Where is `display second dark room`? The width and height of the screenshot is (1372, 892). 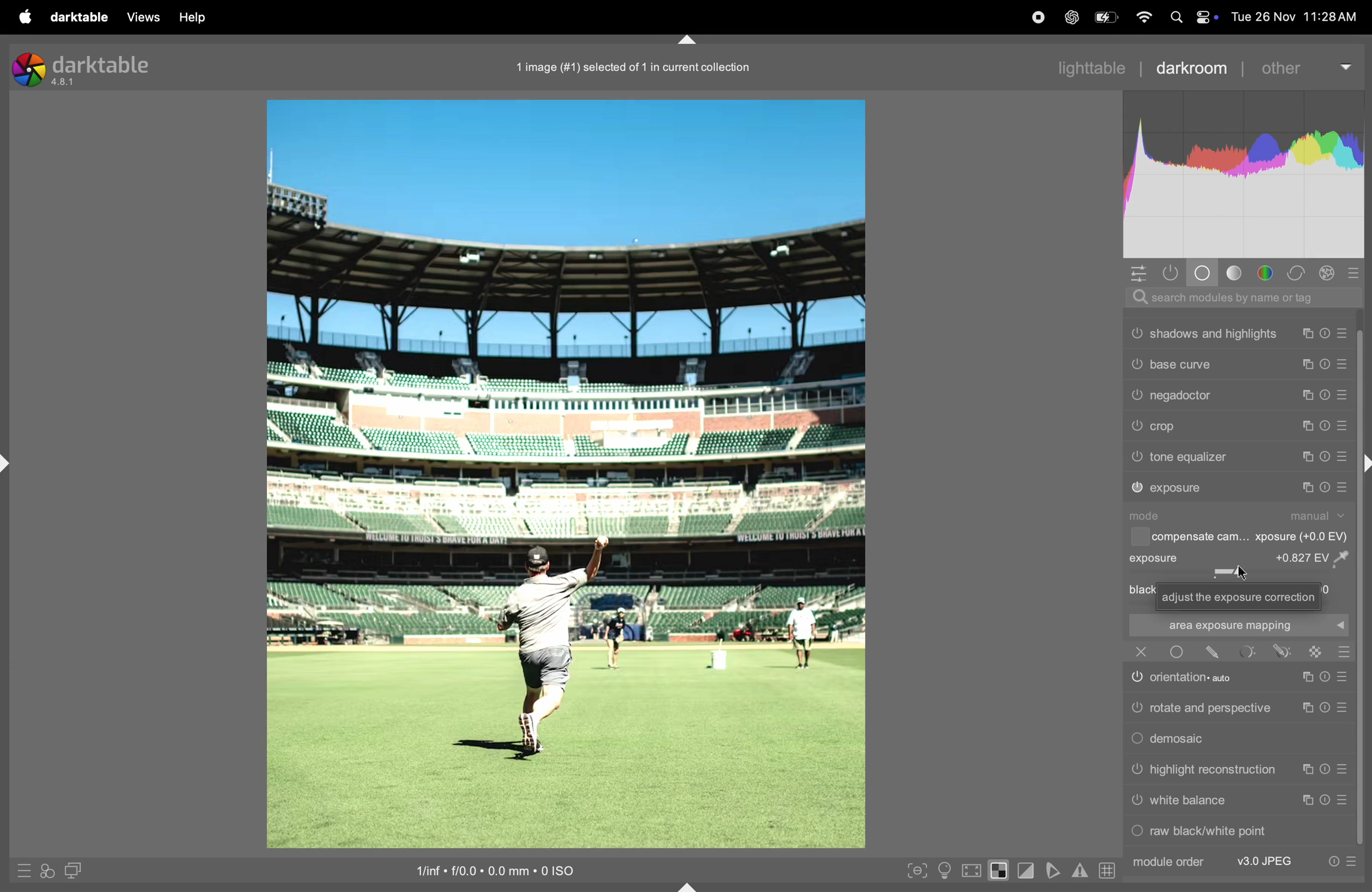
display second dark room is located at coordinates (78, 870).